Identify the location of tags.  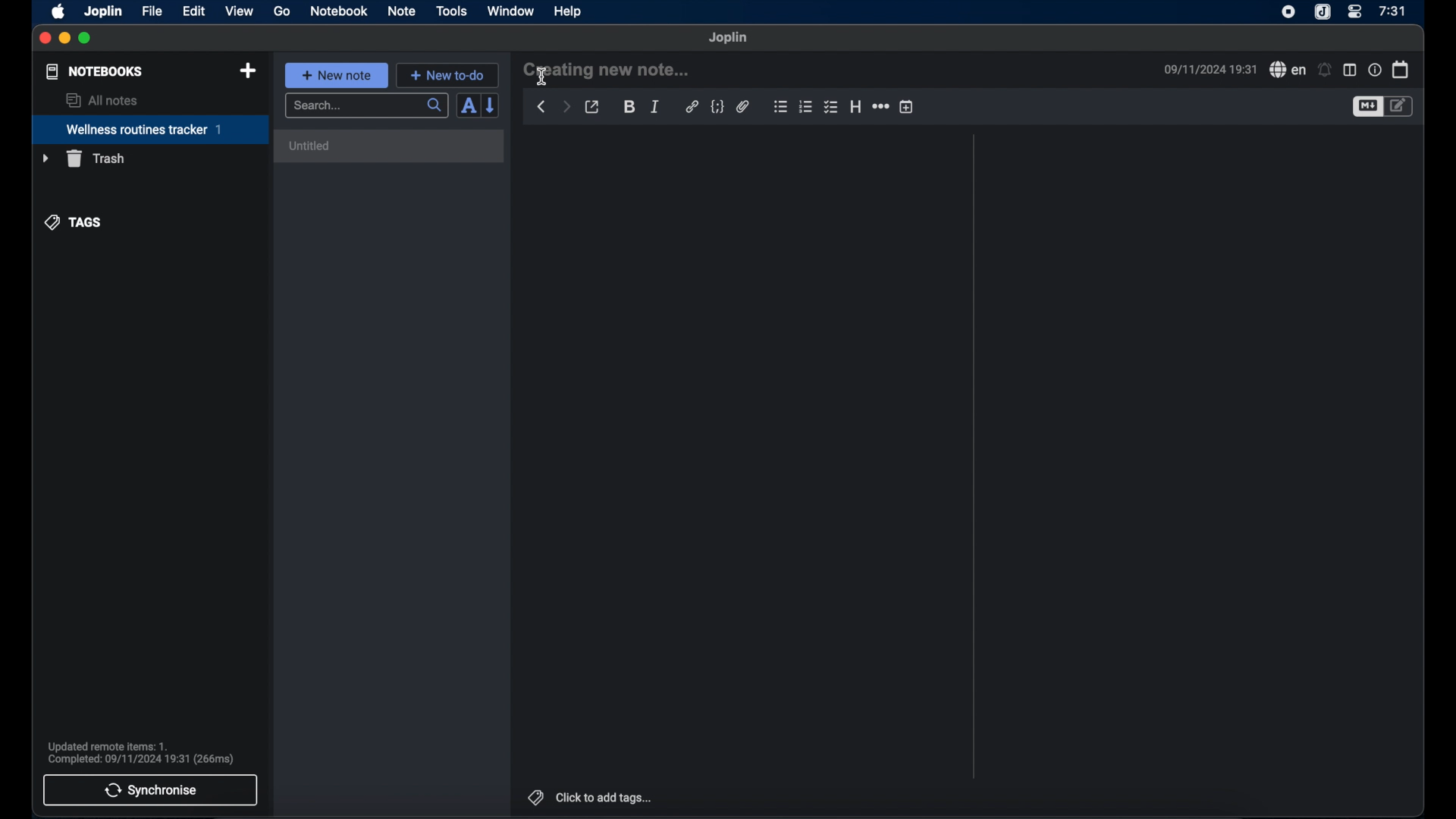
(533, 795).